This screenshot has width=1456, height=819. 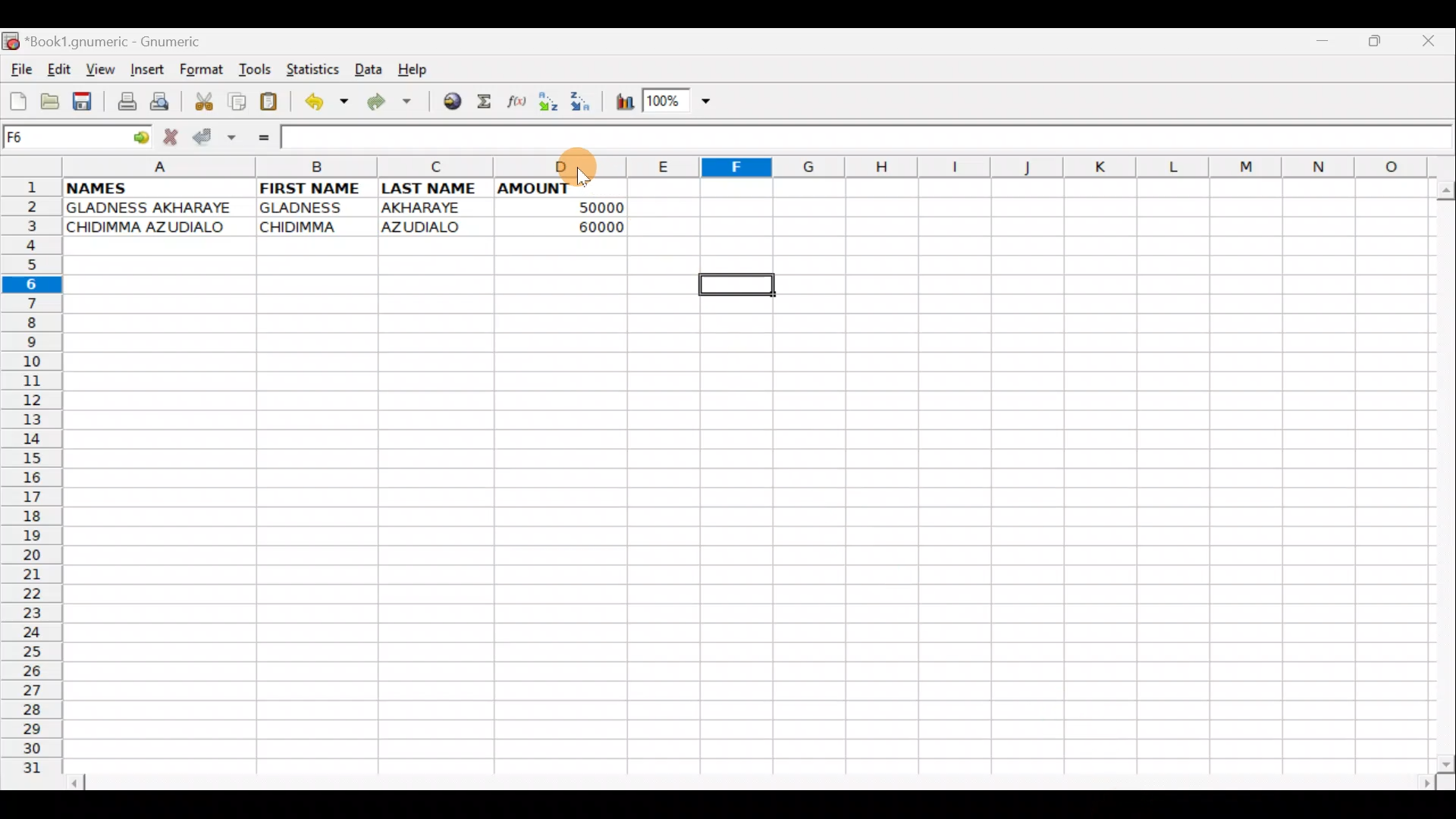 I want to click on Format, so click(x=200, y=71).